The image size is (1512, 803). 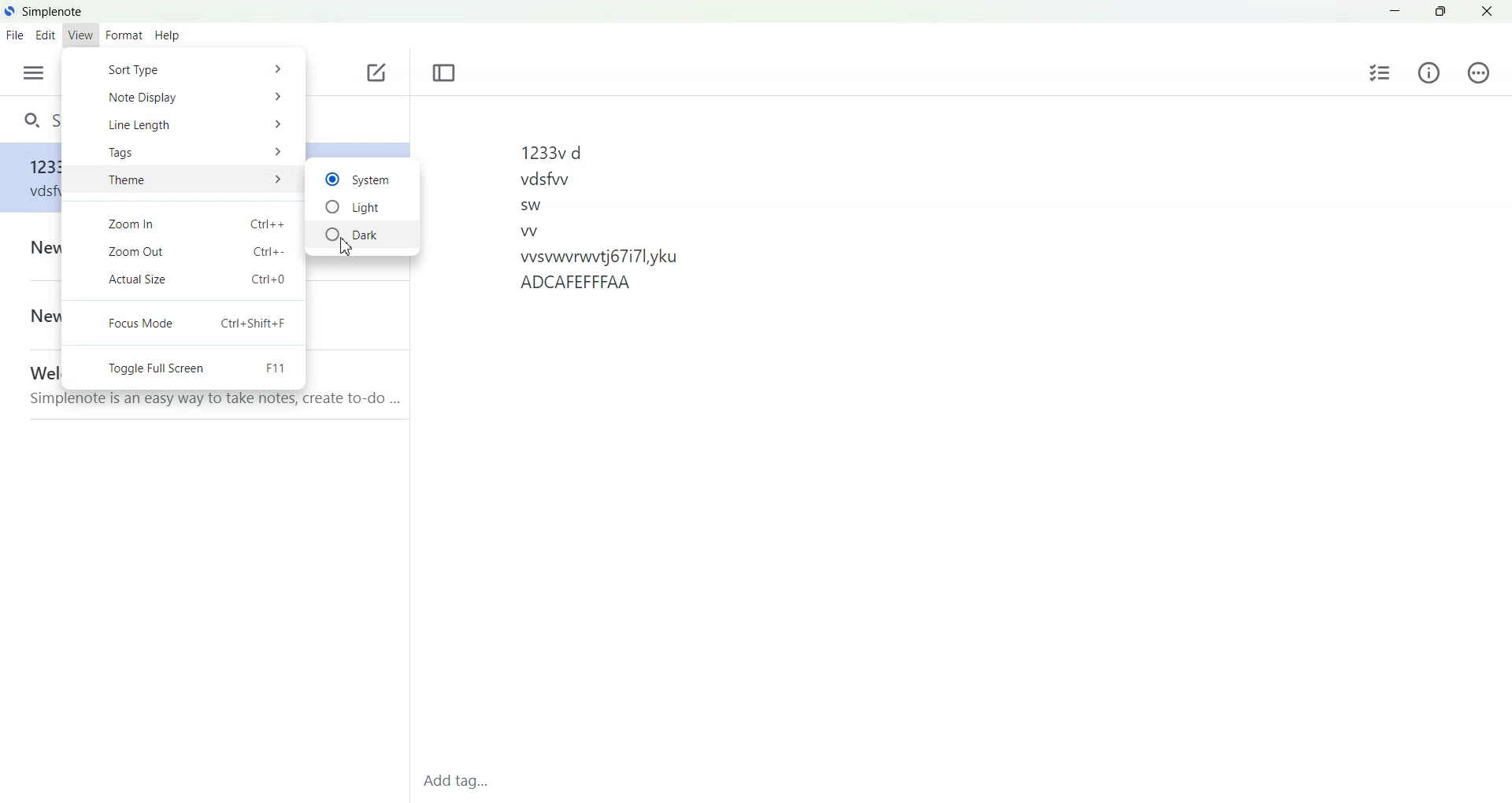 I want to click on Note Display, so click(x=183, y=98).